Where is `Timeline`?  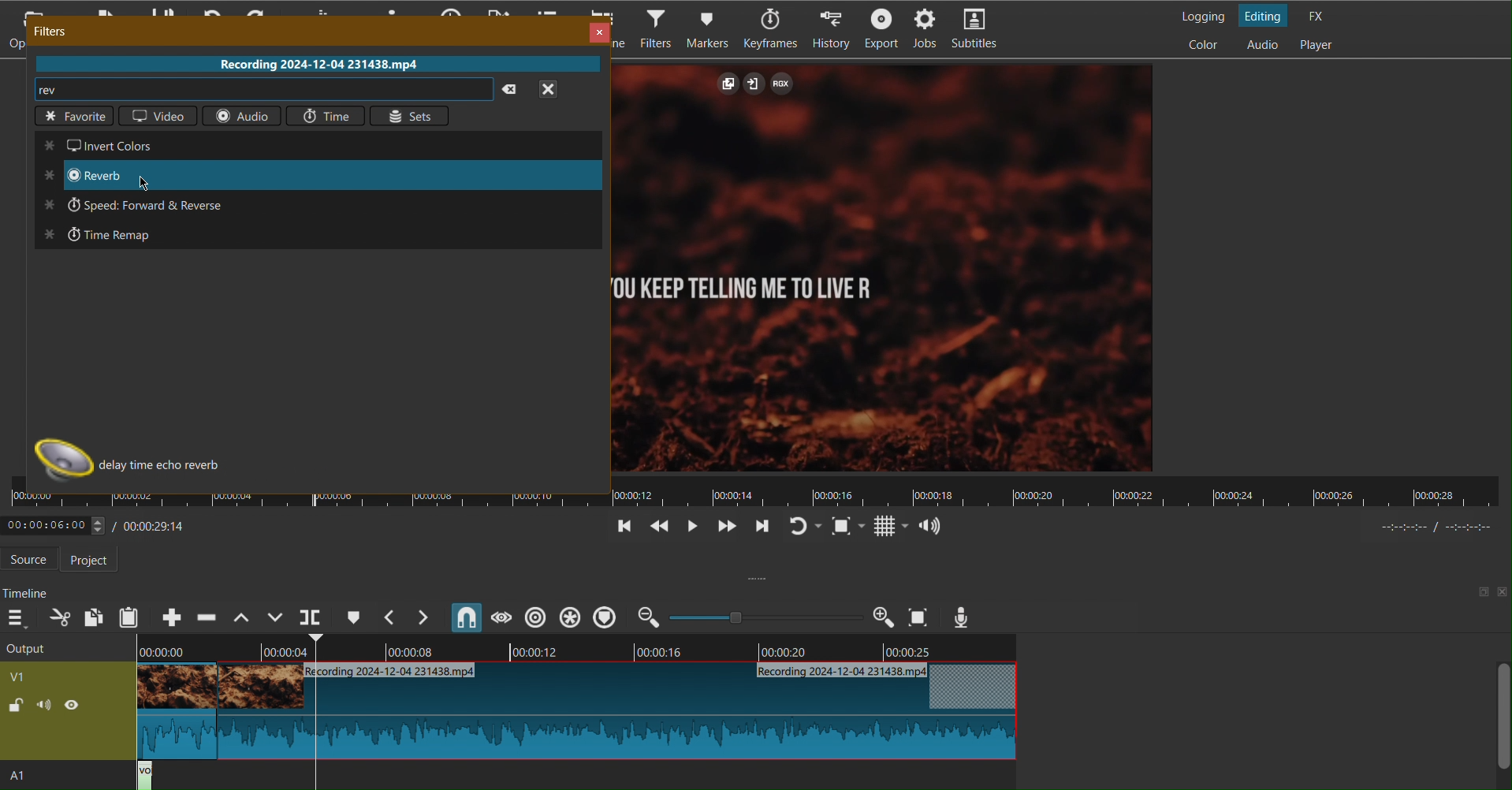
Timeline is located at coordinates (758, 498).